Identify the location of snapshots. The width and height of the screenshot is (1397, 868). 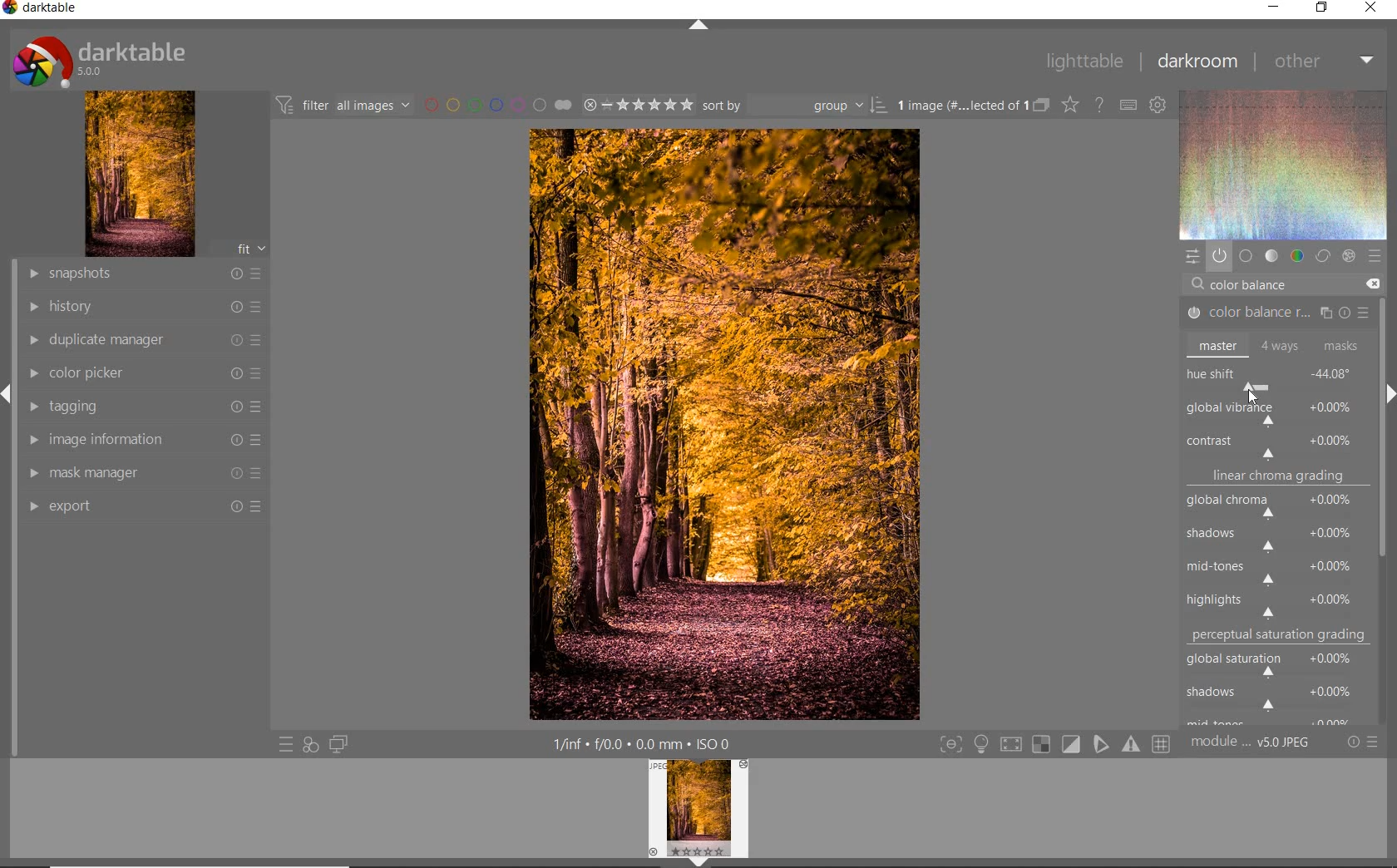
(147, 274).